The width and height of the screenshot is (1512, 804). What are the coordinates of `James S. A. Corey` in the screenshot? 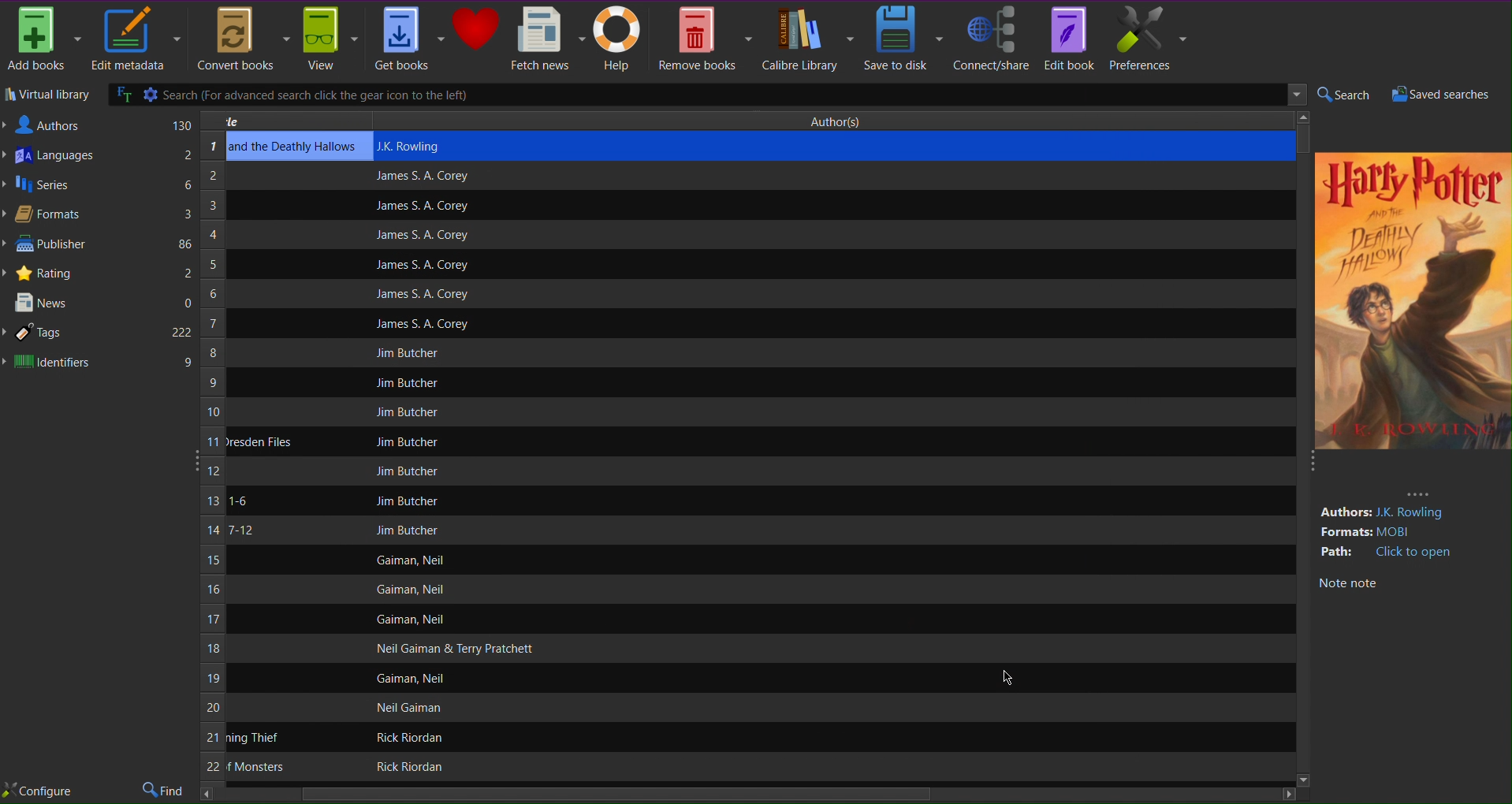 It's located at (420, 236).